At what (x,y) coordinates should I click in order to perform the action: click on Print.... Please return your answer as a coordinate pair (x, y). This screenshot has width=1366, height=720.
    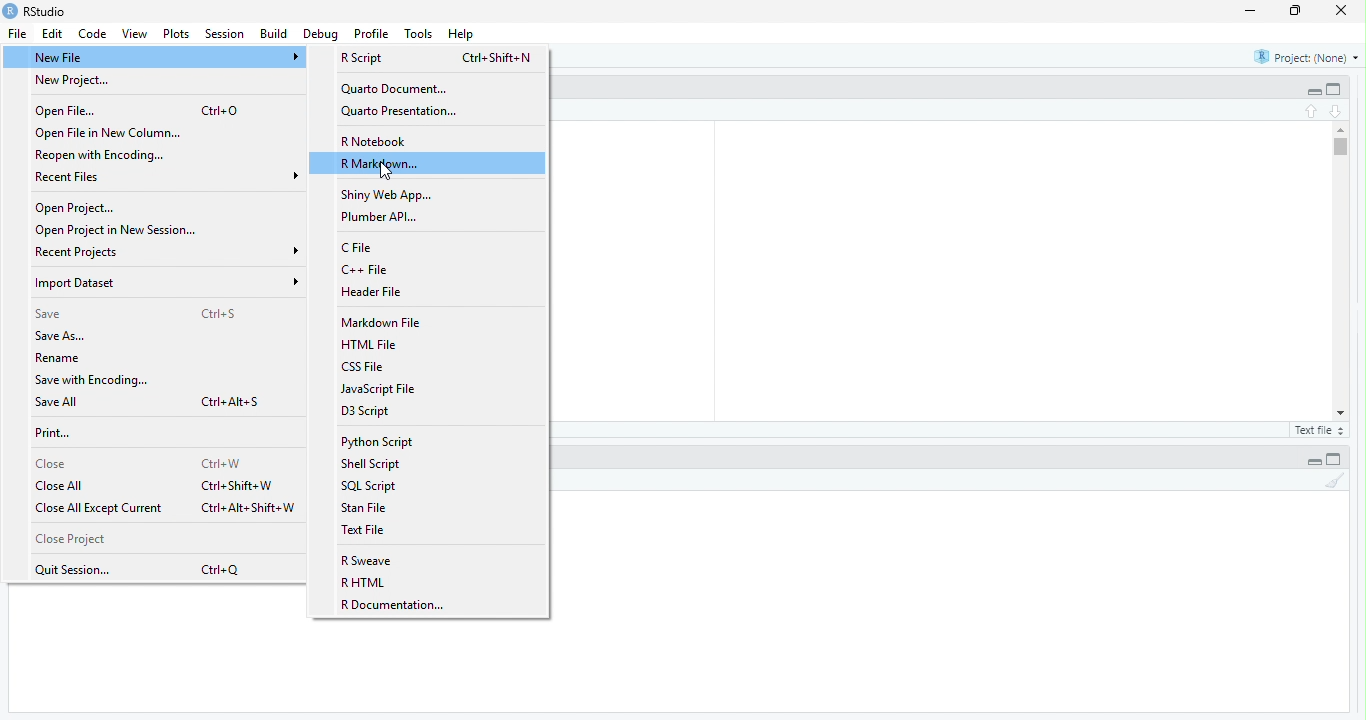
    Looking at the image, I should click on (54, 433).